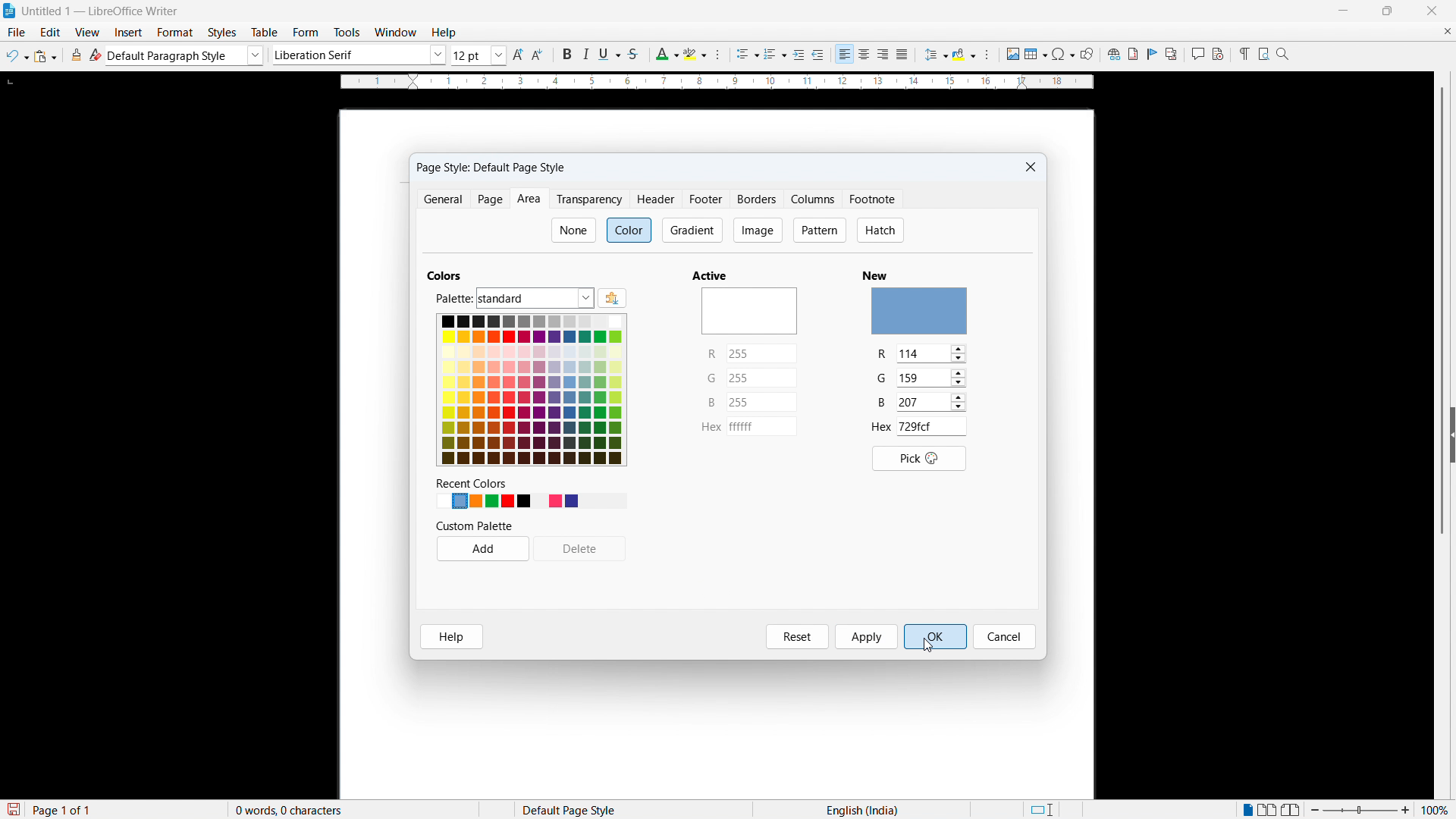 The width and height of the screenshot is (1456, 819). I want to click on Tools , so click(346, 33).